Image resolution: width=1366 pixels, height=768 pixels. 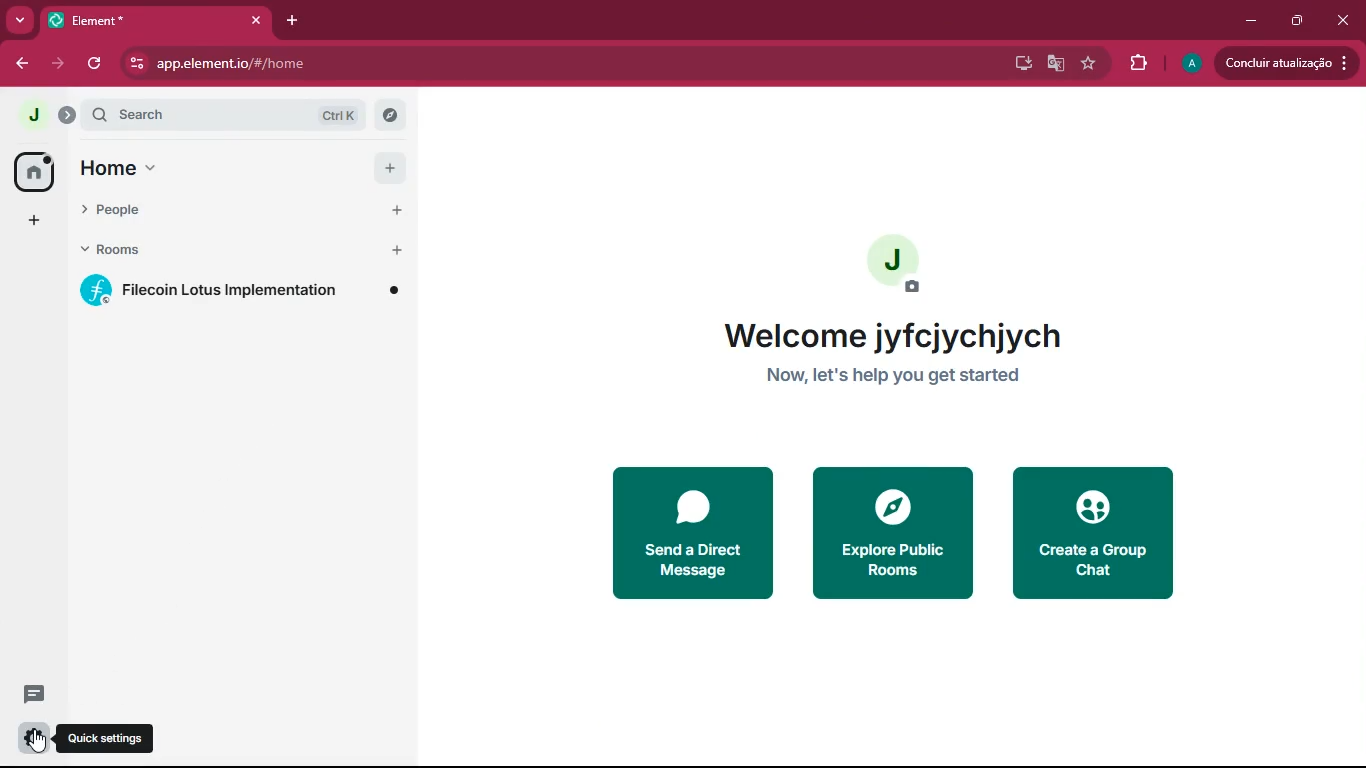 I want to click on room, so click(x=245, y=294).